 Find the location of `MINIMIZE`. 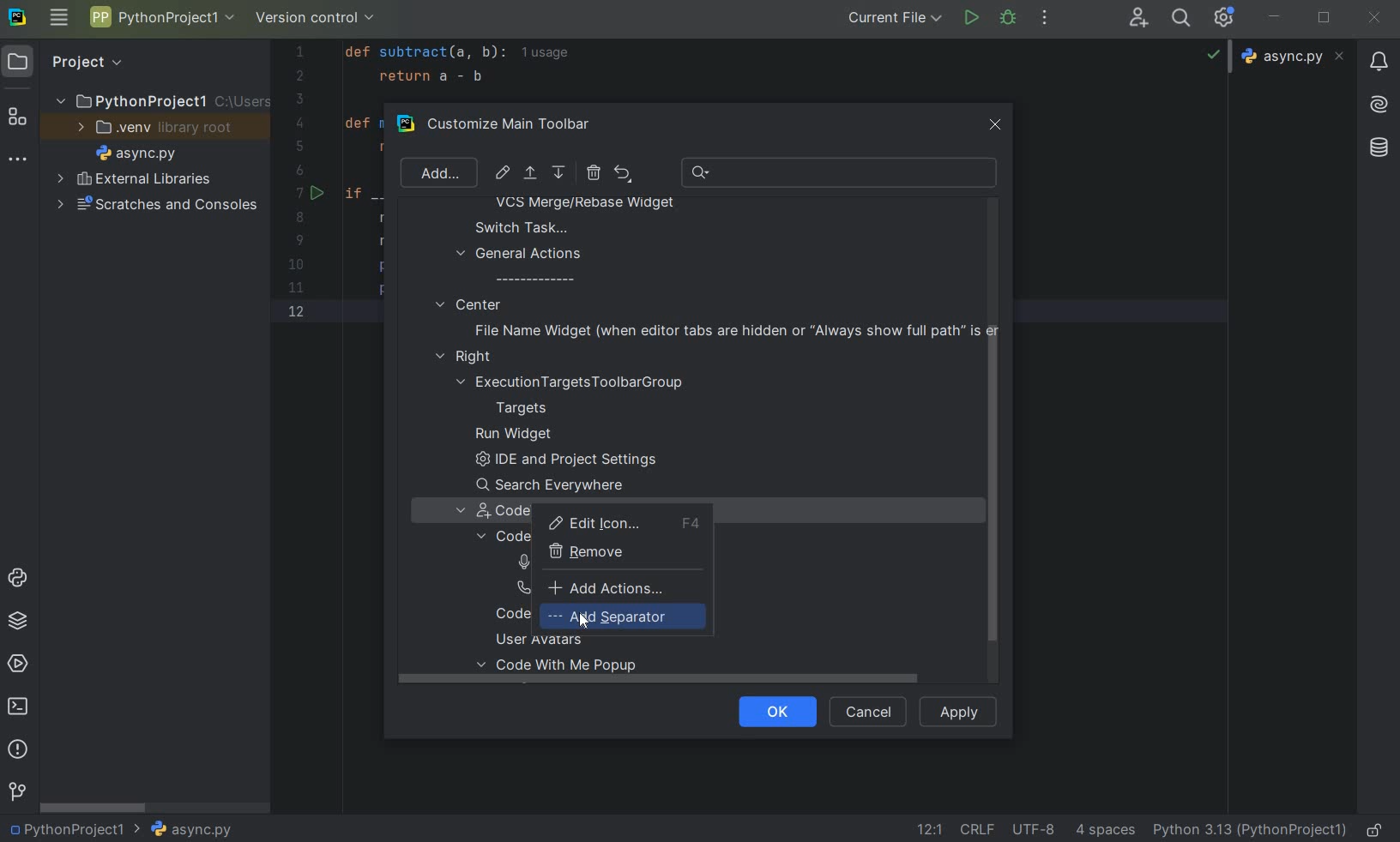

MINIMIZE is located at coordinates (1276, 18).